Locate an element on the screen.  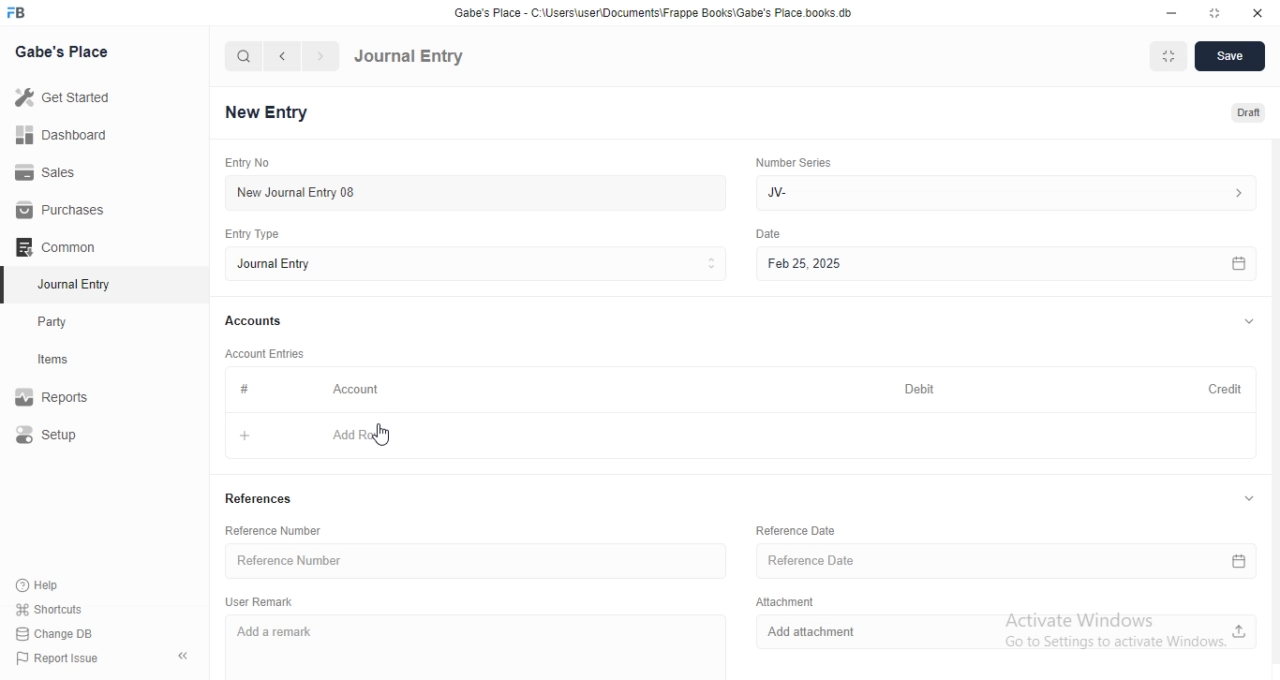
Entry Type is located at coordinates (474, 265).